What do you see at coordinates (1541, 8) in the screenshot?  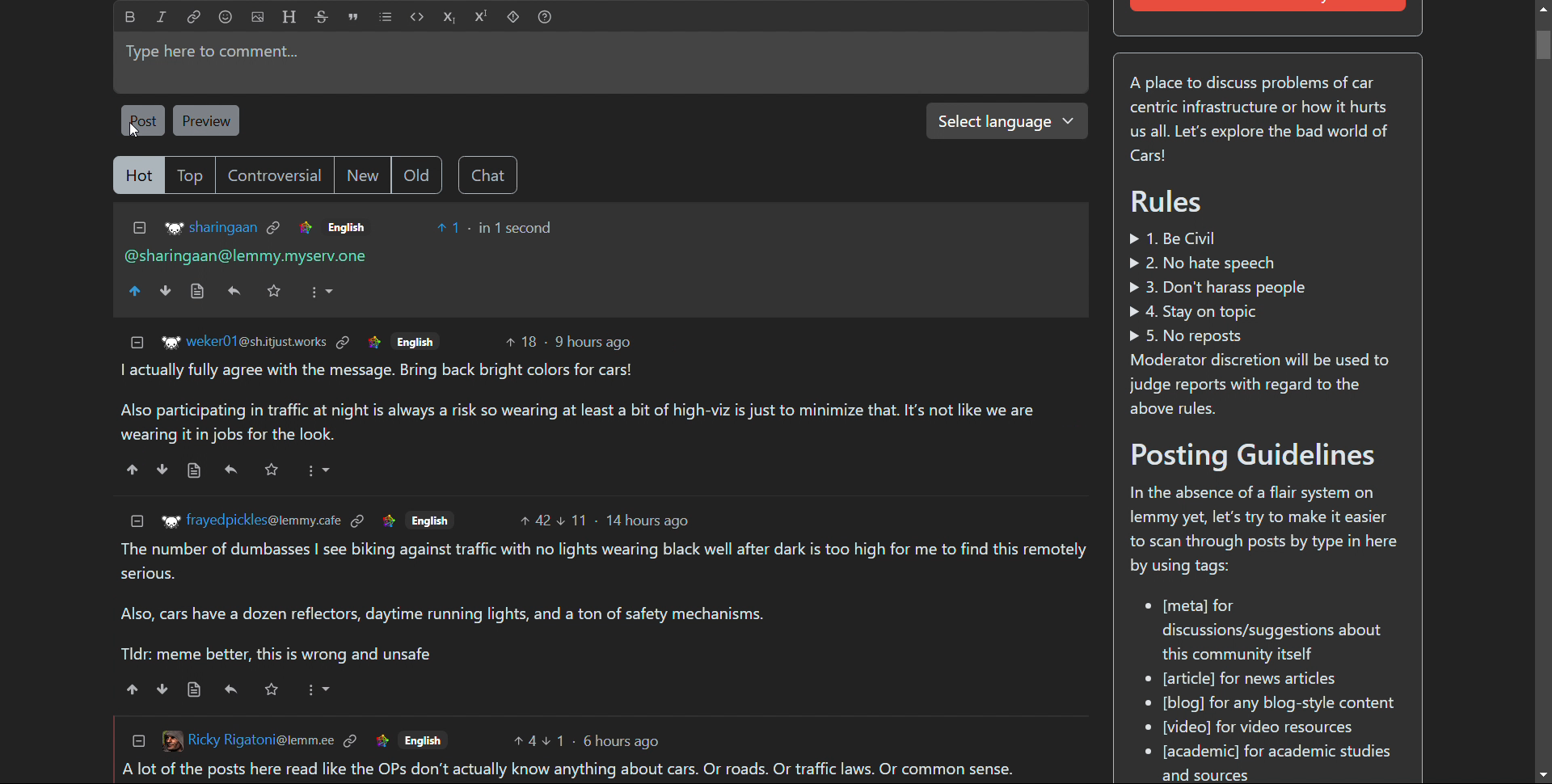 I see `scroll up` at bounding box center [1541, 8].